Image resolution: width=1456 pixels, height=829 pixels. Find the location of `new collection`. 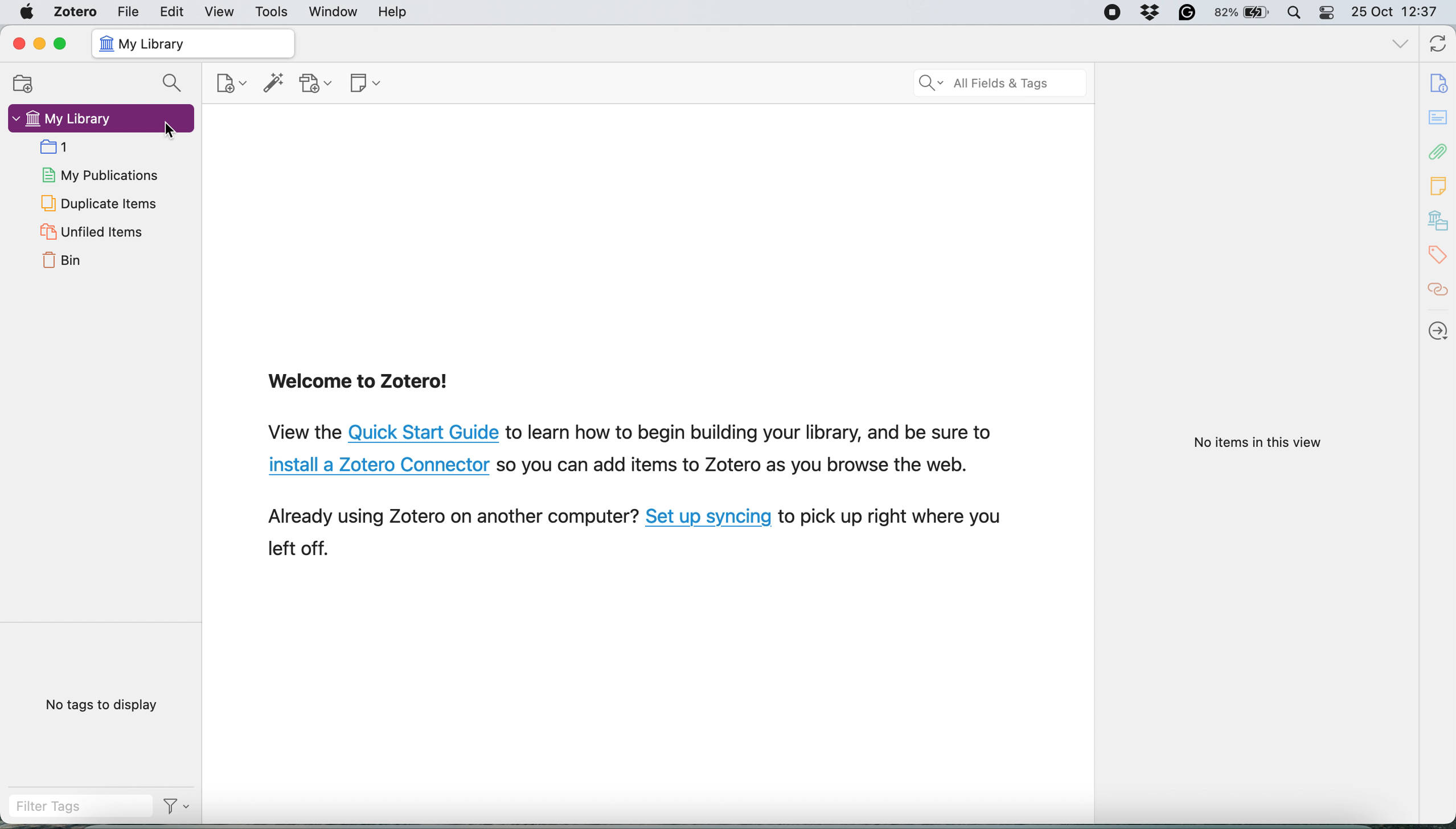

new collection is located at coordinates (19, 85).